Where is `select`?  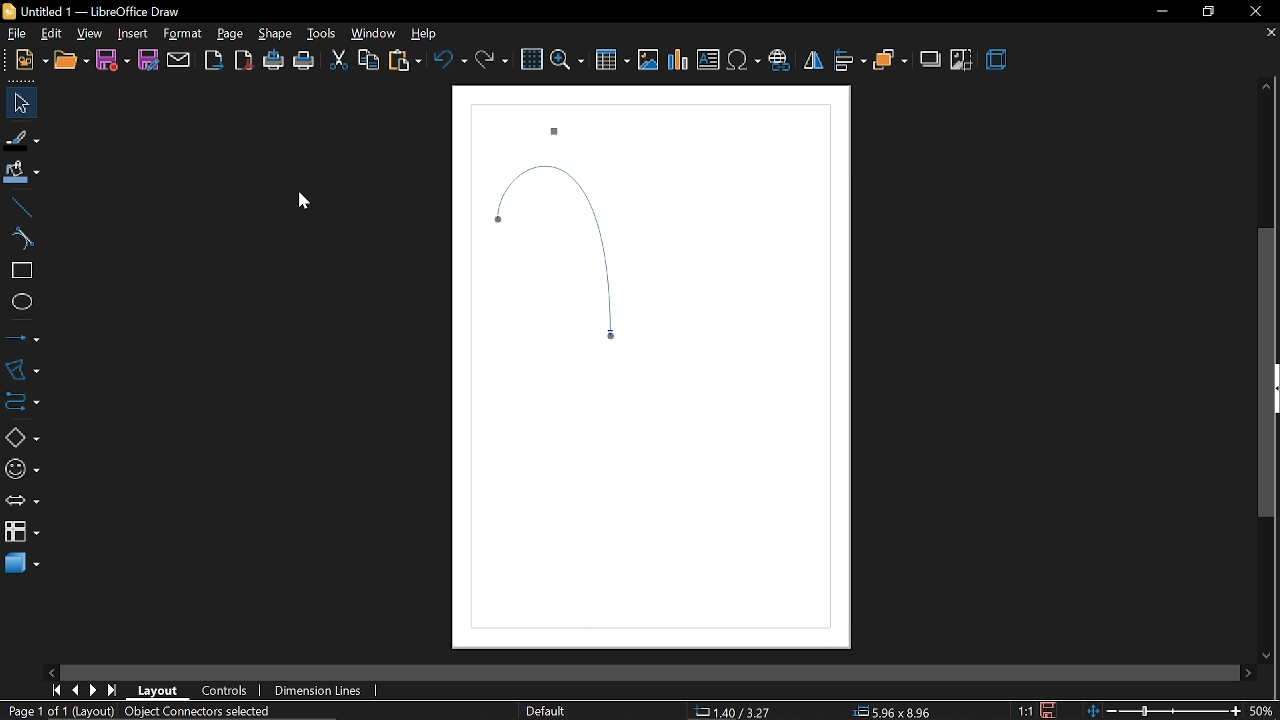 select is located at coordinates (18, 103).